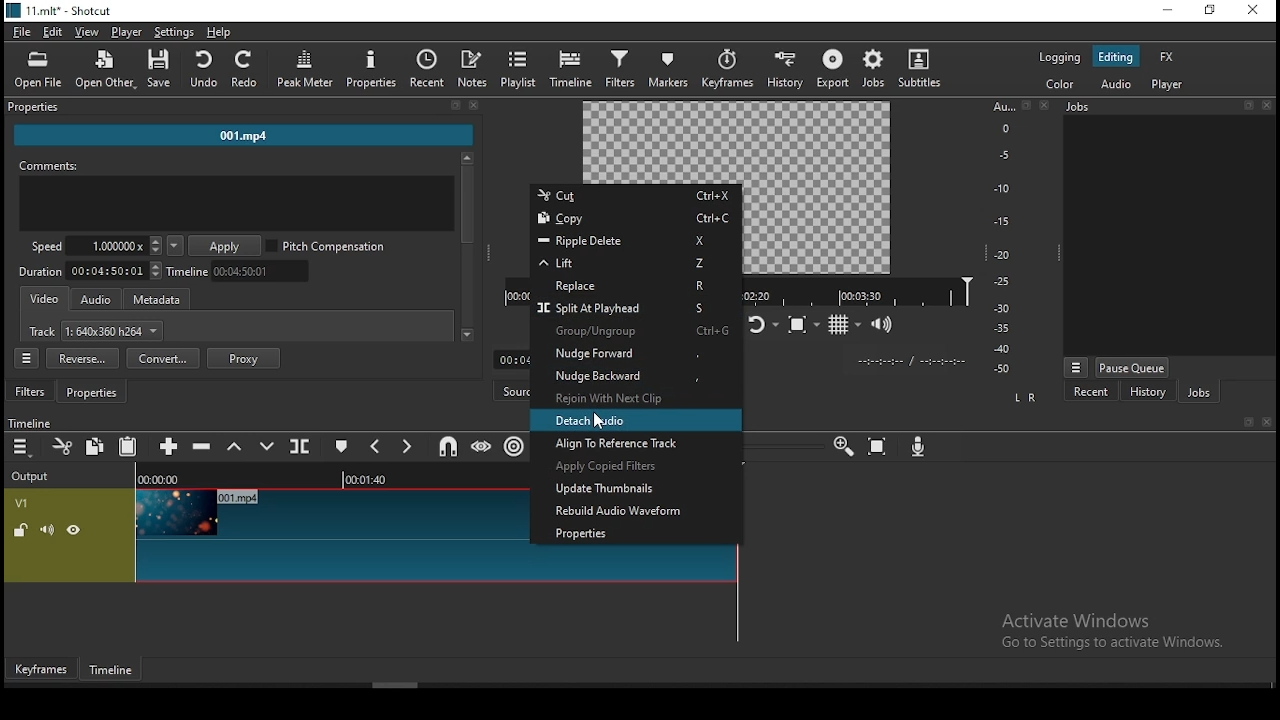 This screenshot has height=720, width=1280. I want to click on playlist, so click(519, 69).